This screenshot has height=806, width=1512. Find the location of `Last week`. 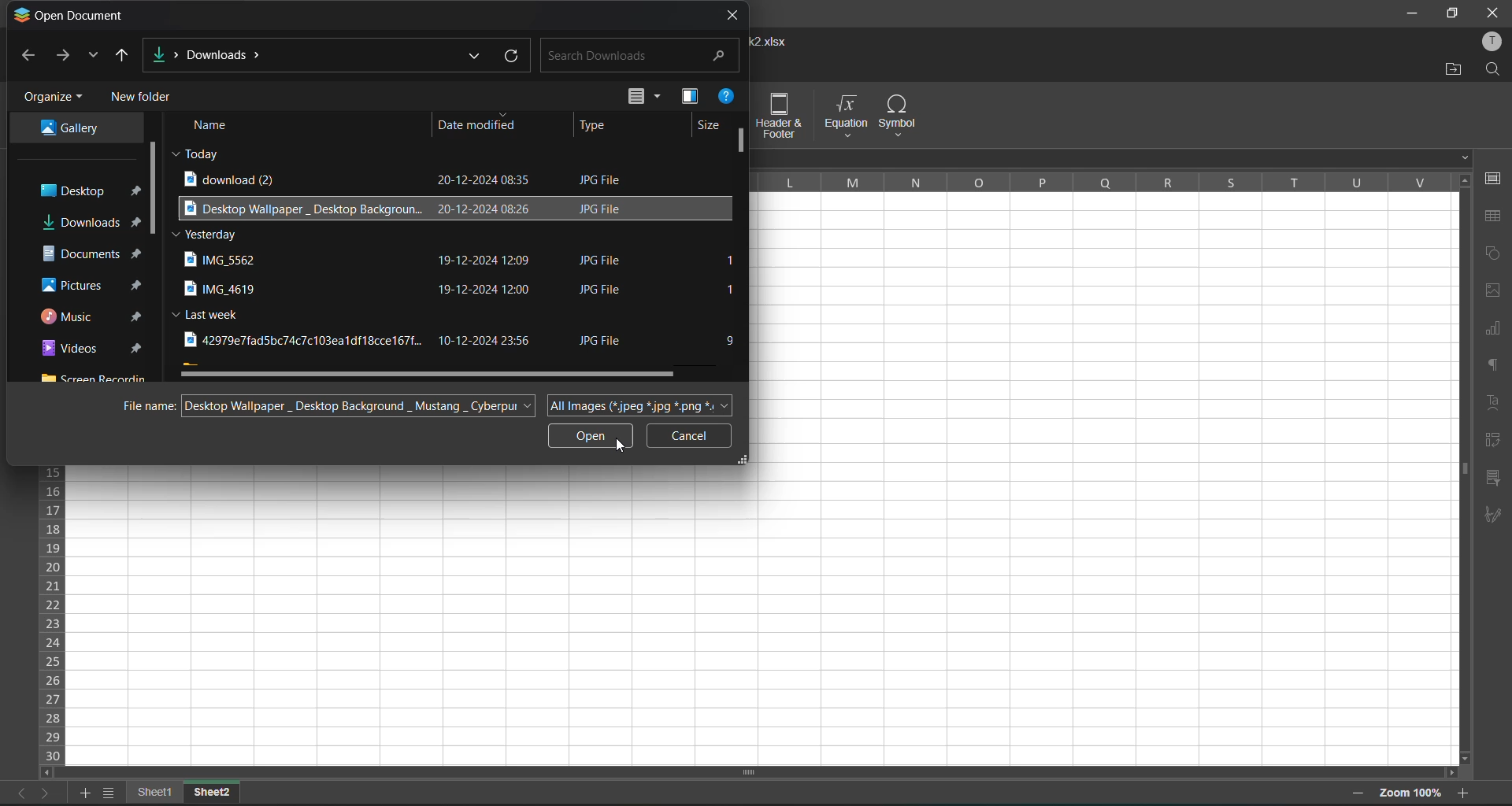

Last week is located at coordinates (211, 313).